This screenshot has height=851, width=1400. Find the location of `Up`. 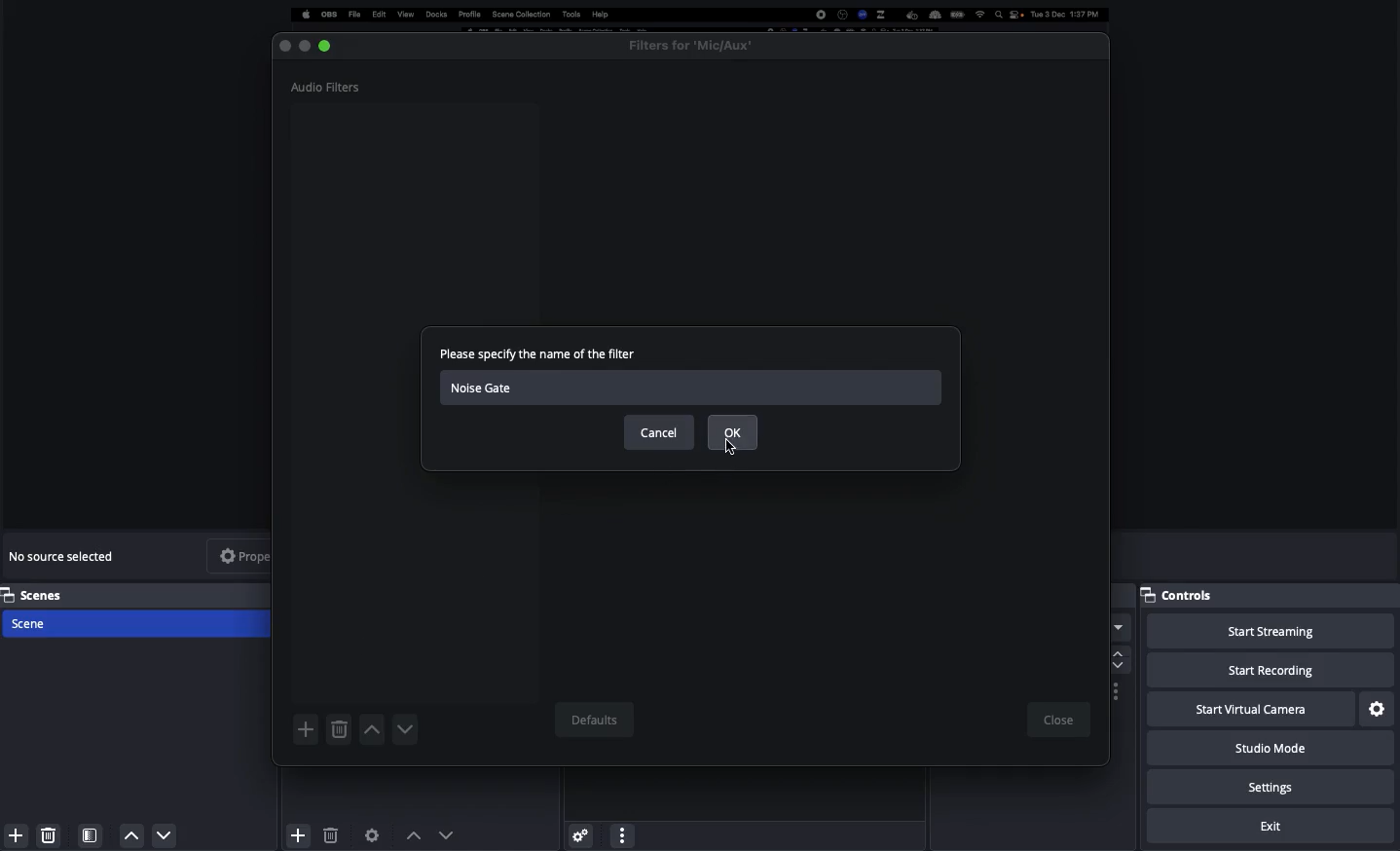

Up is located at coordinates (371, 731).